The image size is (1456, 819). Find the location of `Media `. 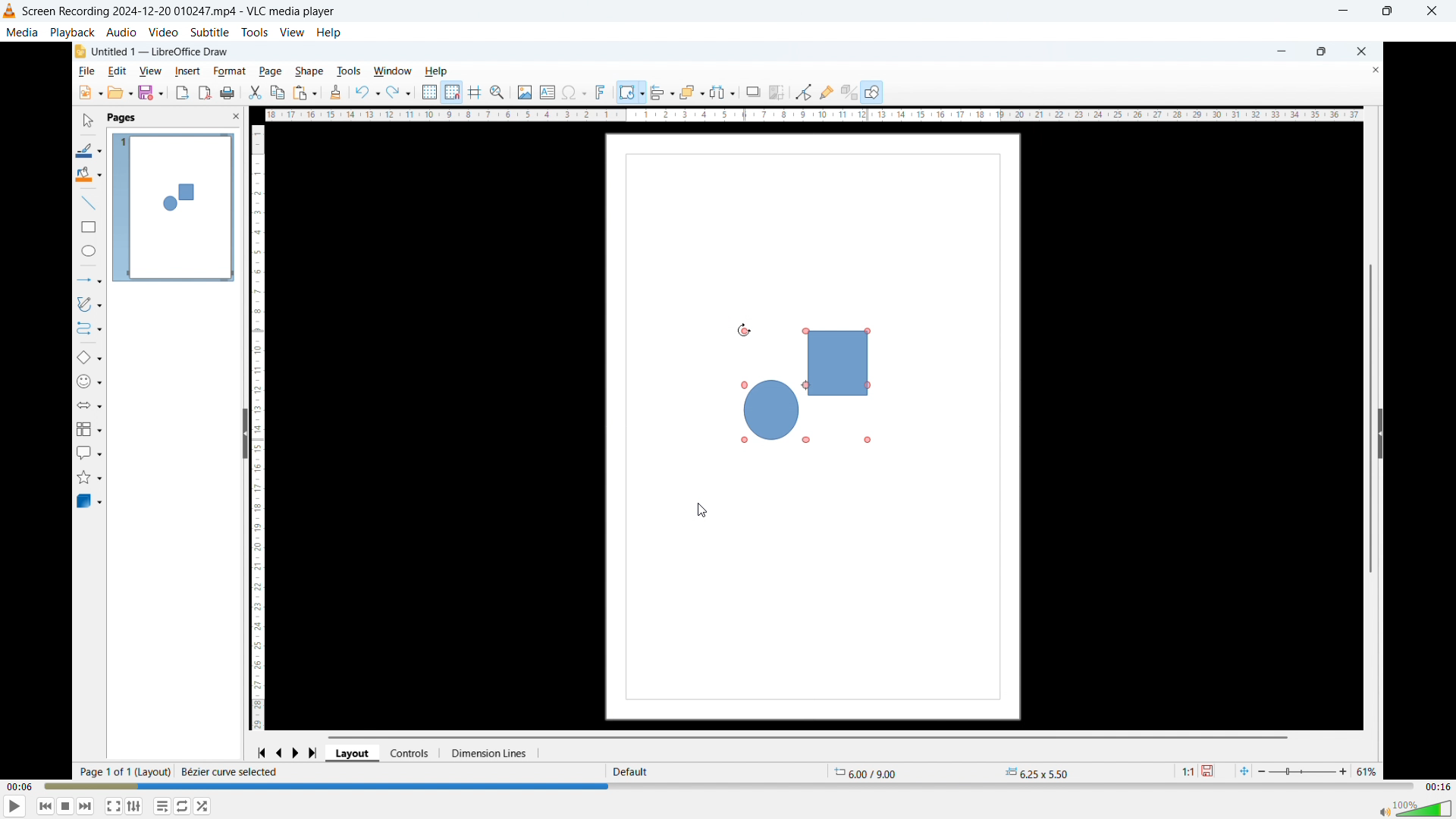

Media  is located at coordinates (21, 33).